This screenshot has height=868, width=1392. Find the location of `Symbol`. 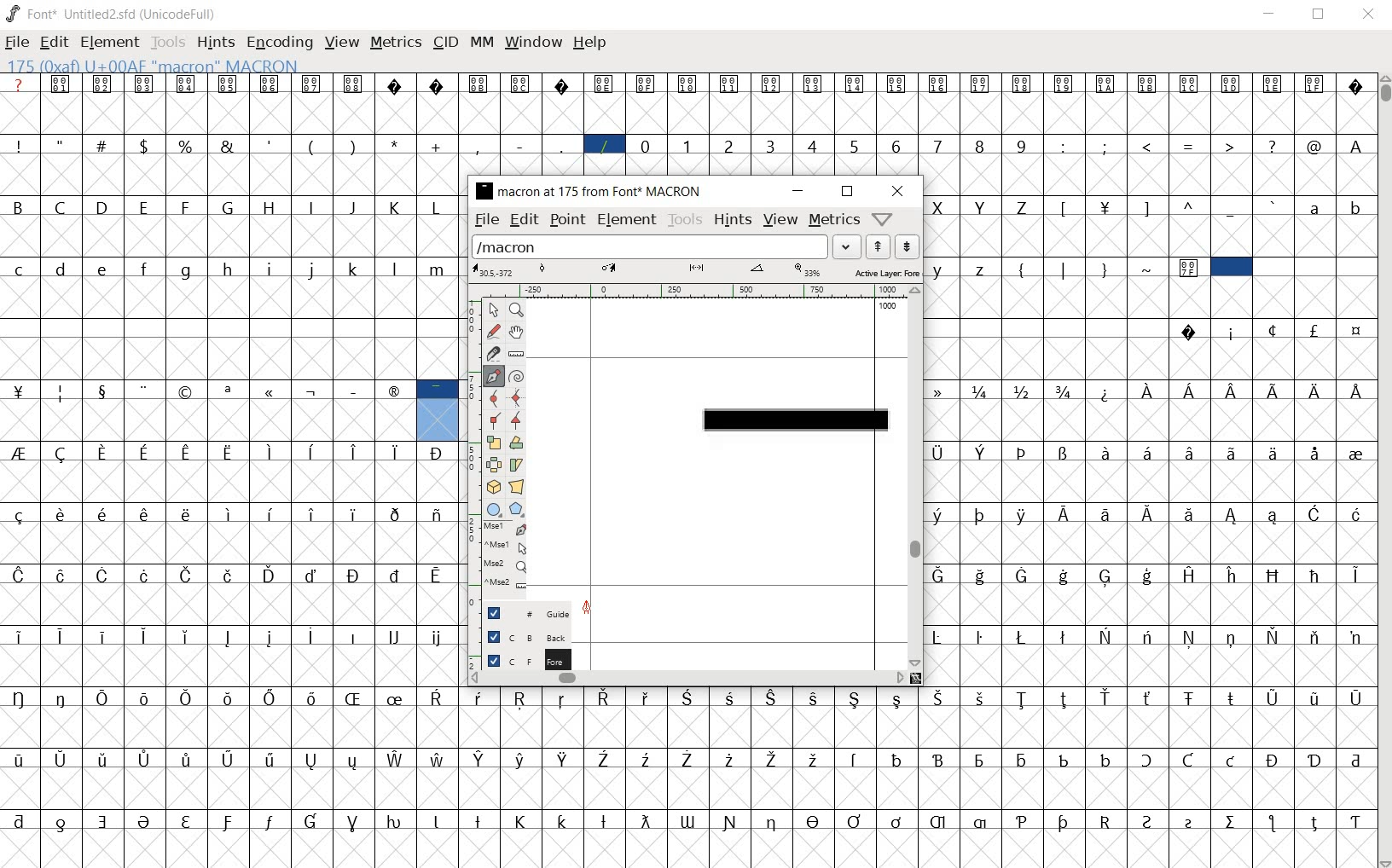

Symbol is located at coordinates (1232, 333).